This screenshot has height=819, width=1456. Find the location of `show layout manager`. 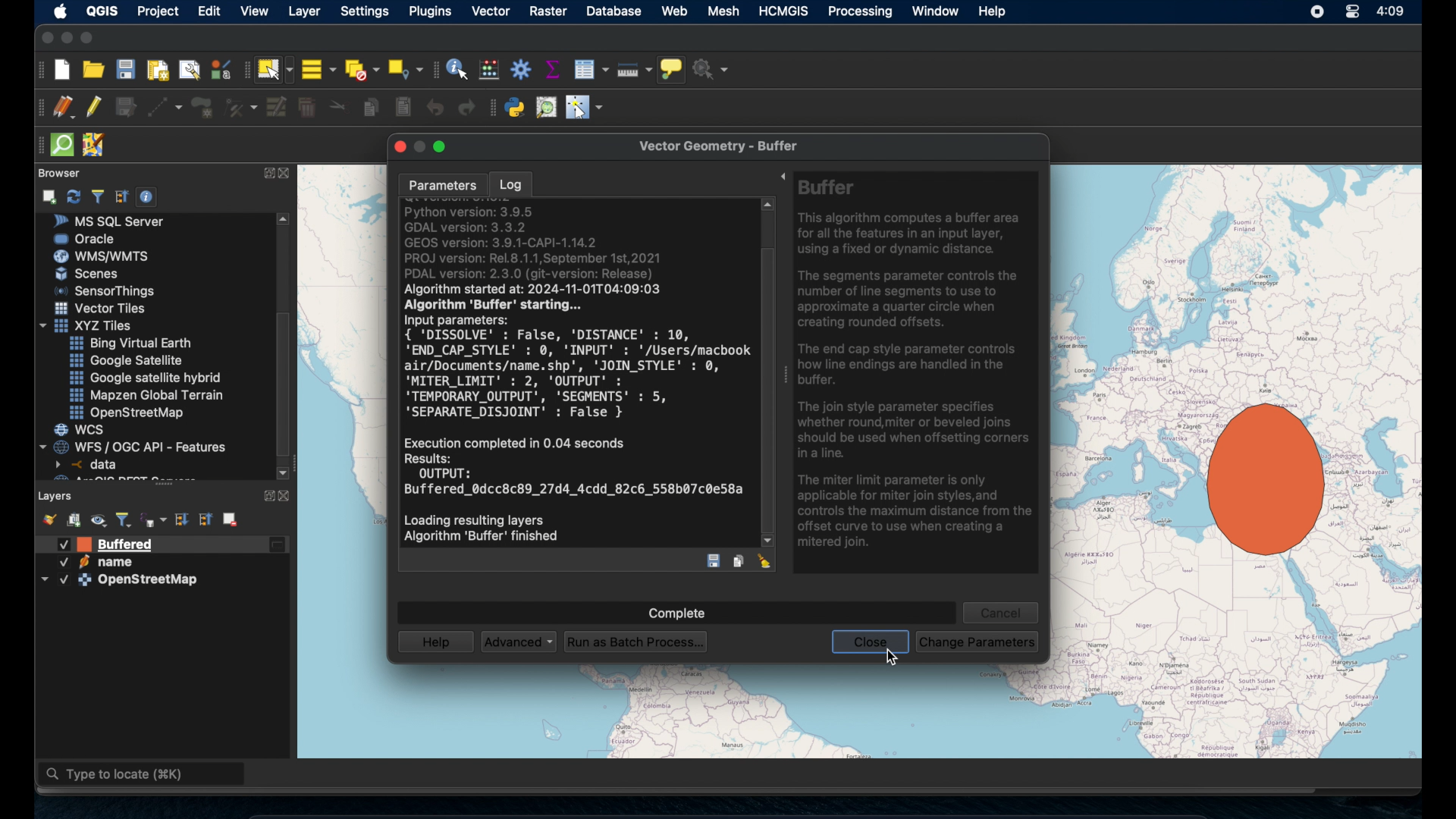

show layout manager is located at coordinates (192, 71).